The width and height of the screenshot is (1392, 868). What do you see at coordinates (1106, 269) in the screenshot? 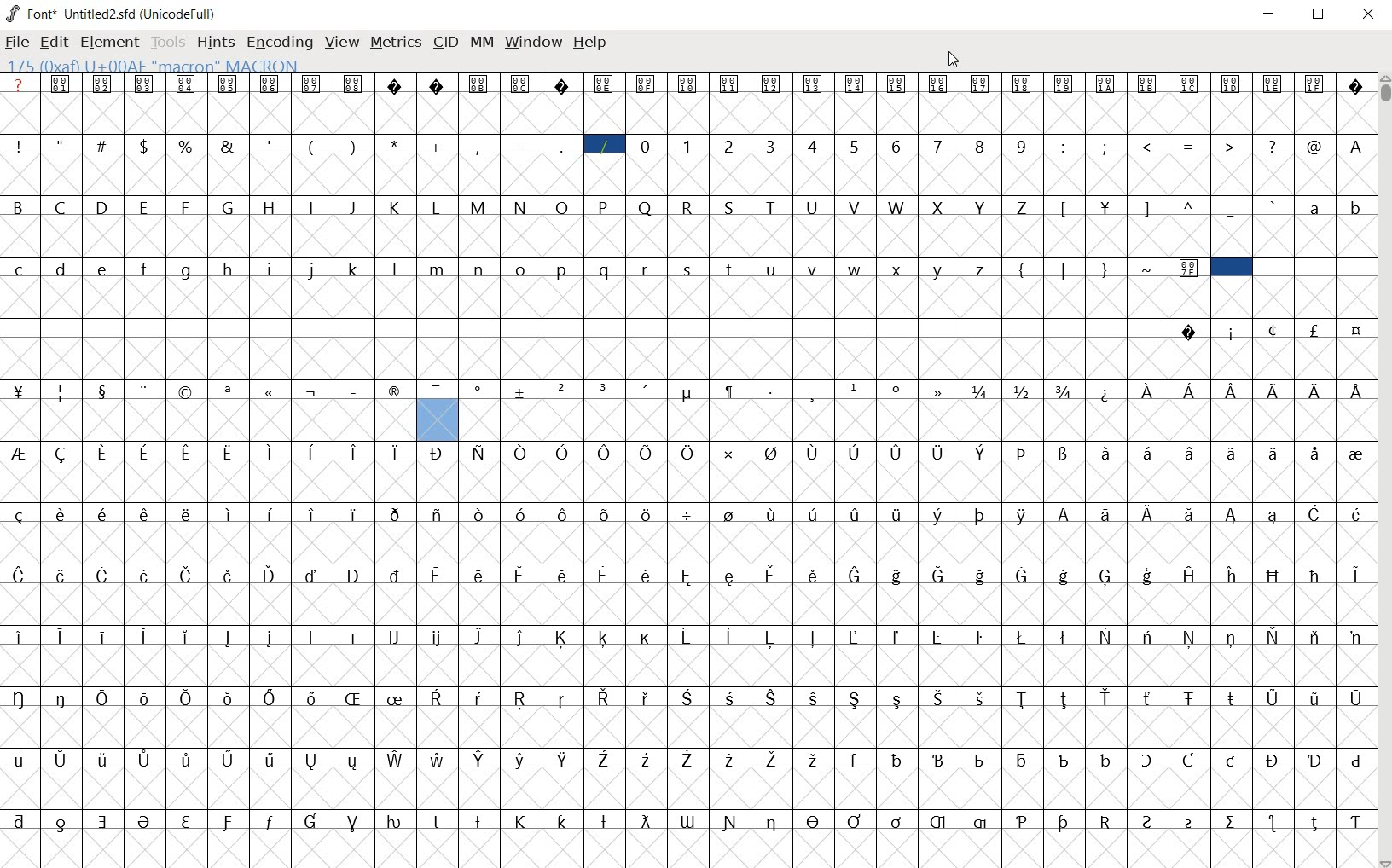
I see `}` at bounding box center [1106, 269].